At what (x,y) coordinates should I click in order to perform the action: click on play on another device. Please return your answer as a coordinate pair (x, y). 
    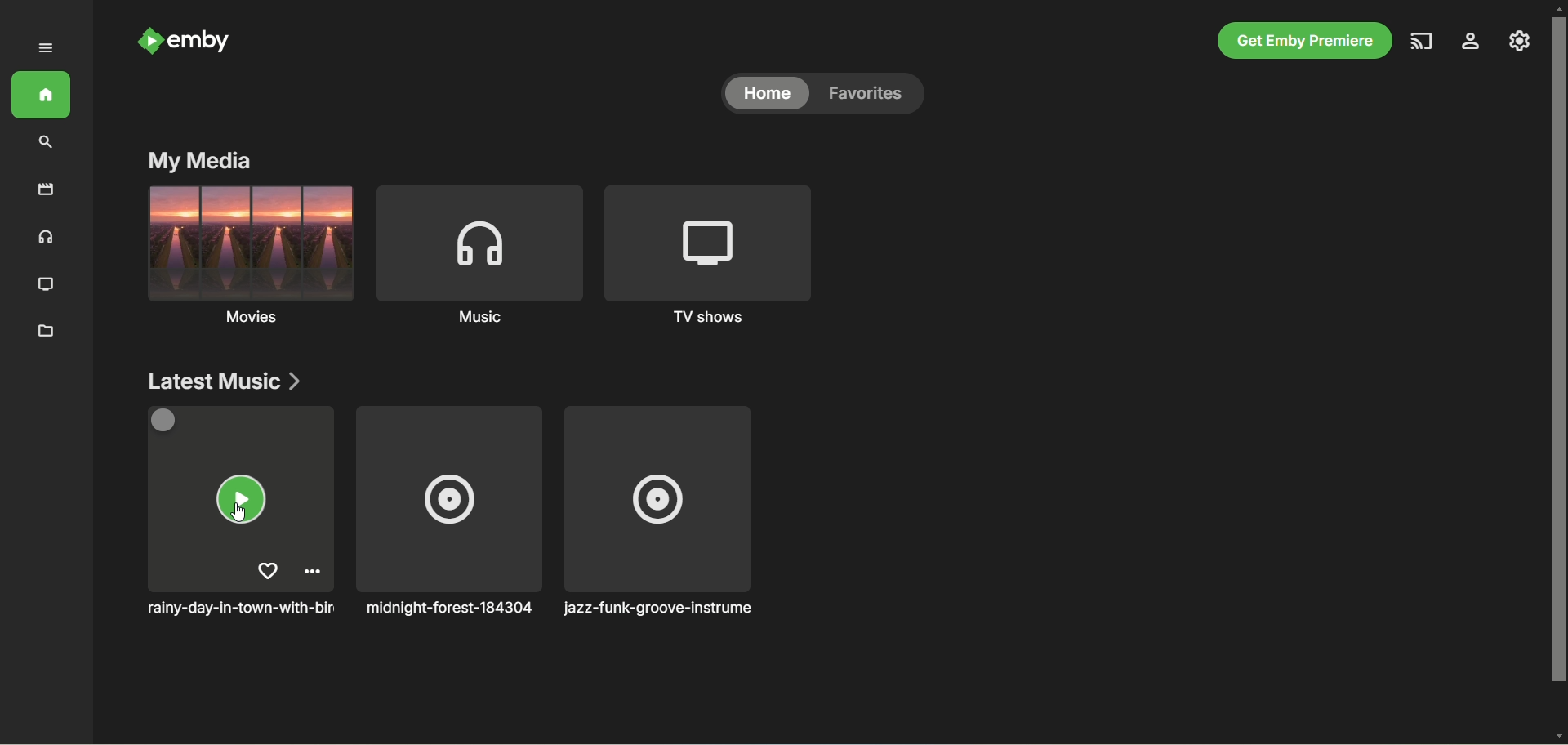
    Looking at the image, I should click on (1424, 42).